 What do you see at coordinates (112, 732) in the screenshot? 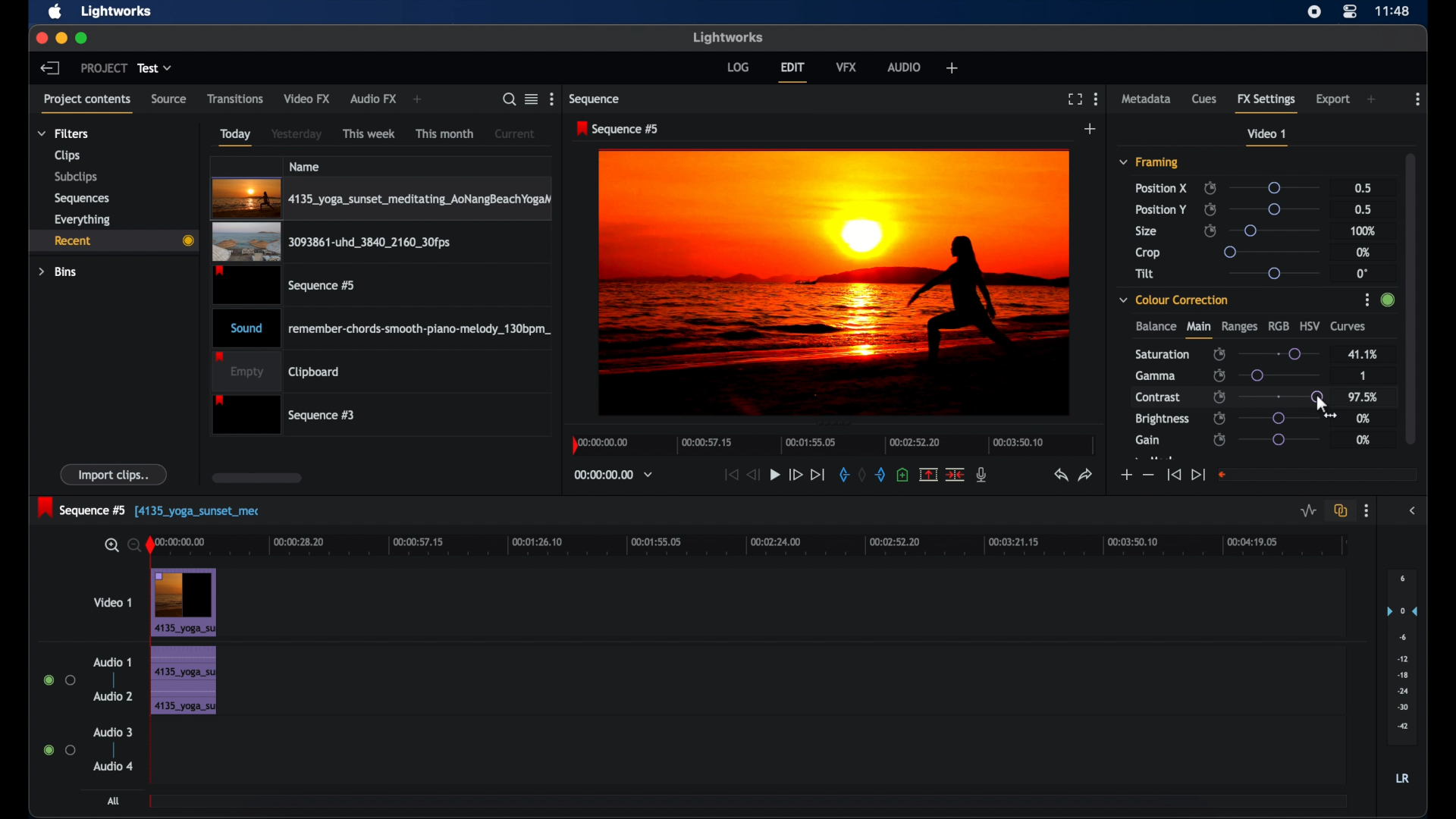
I see `audio 3` at bounding box center [112, 732].